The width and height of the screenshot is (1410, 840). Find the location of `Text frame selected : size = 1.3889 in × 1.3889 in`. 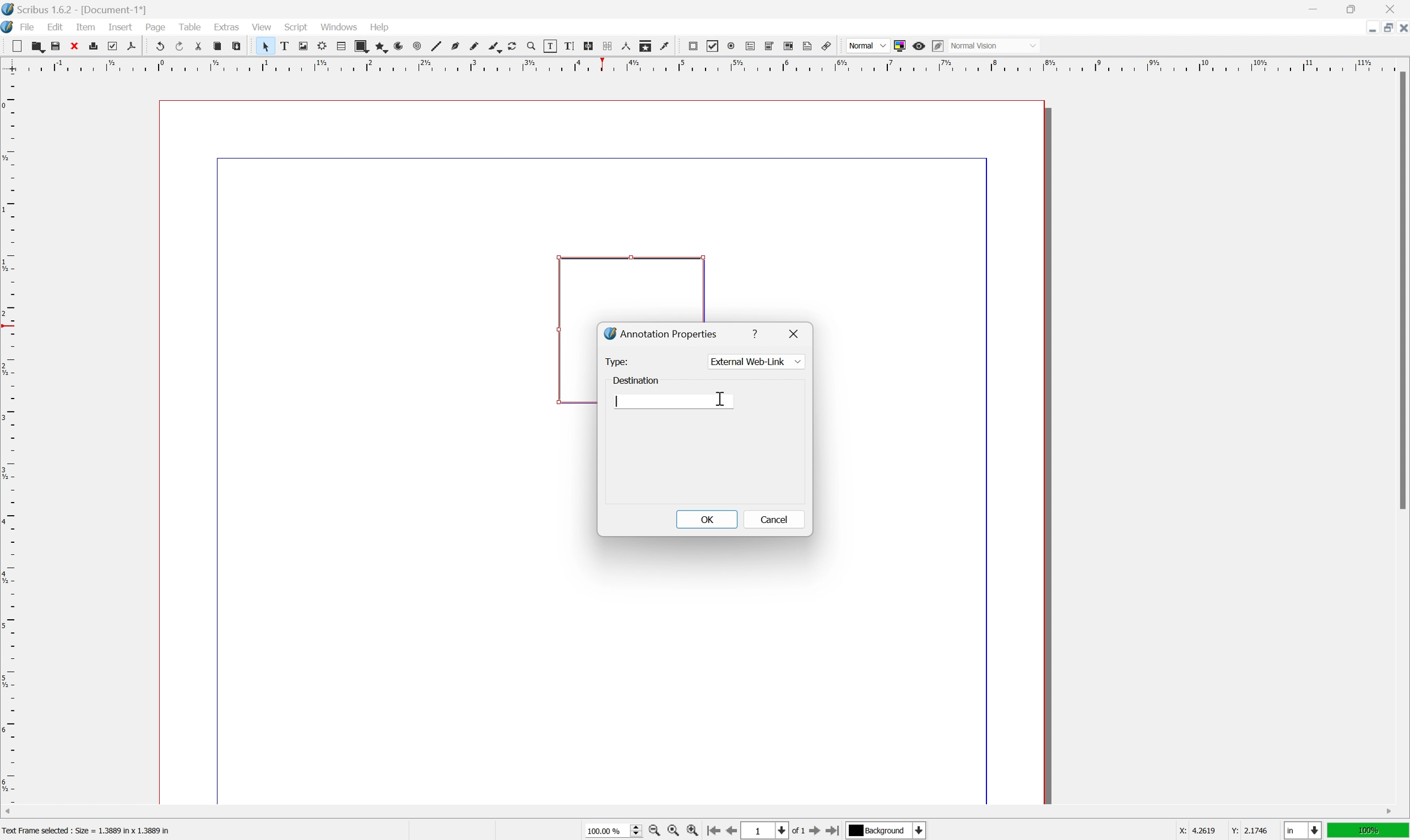

Text frame selected : size = 1.3889 in × 1.3889 in is located at coordinates (88, 829).